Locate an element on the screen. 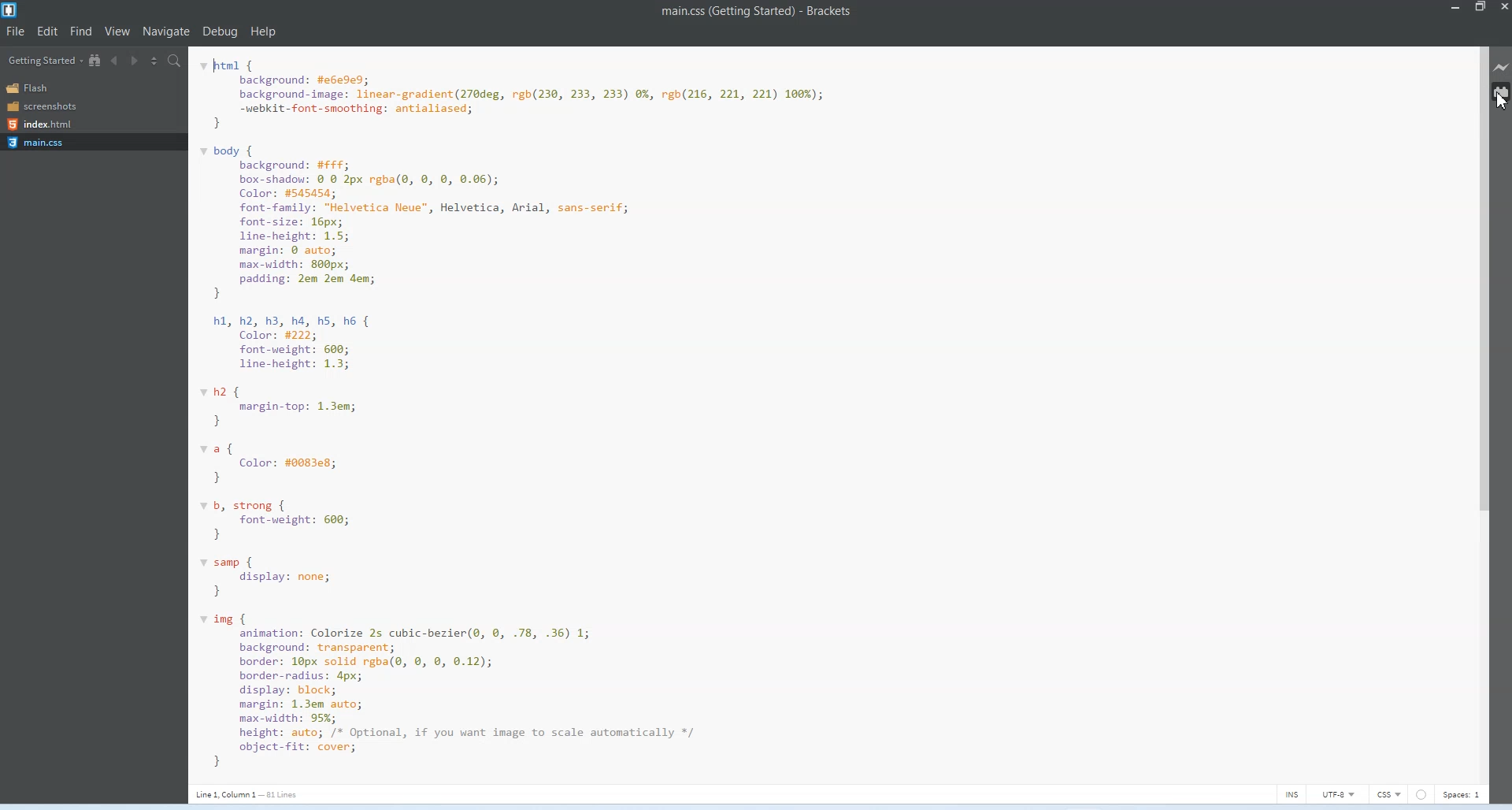 The image size is (1512, 810). Flash is located at coordinates (34, 87).